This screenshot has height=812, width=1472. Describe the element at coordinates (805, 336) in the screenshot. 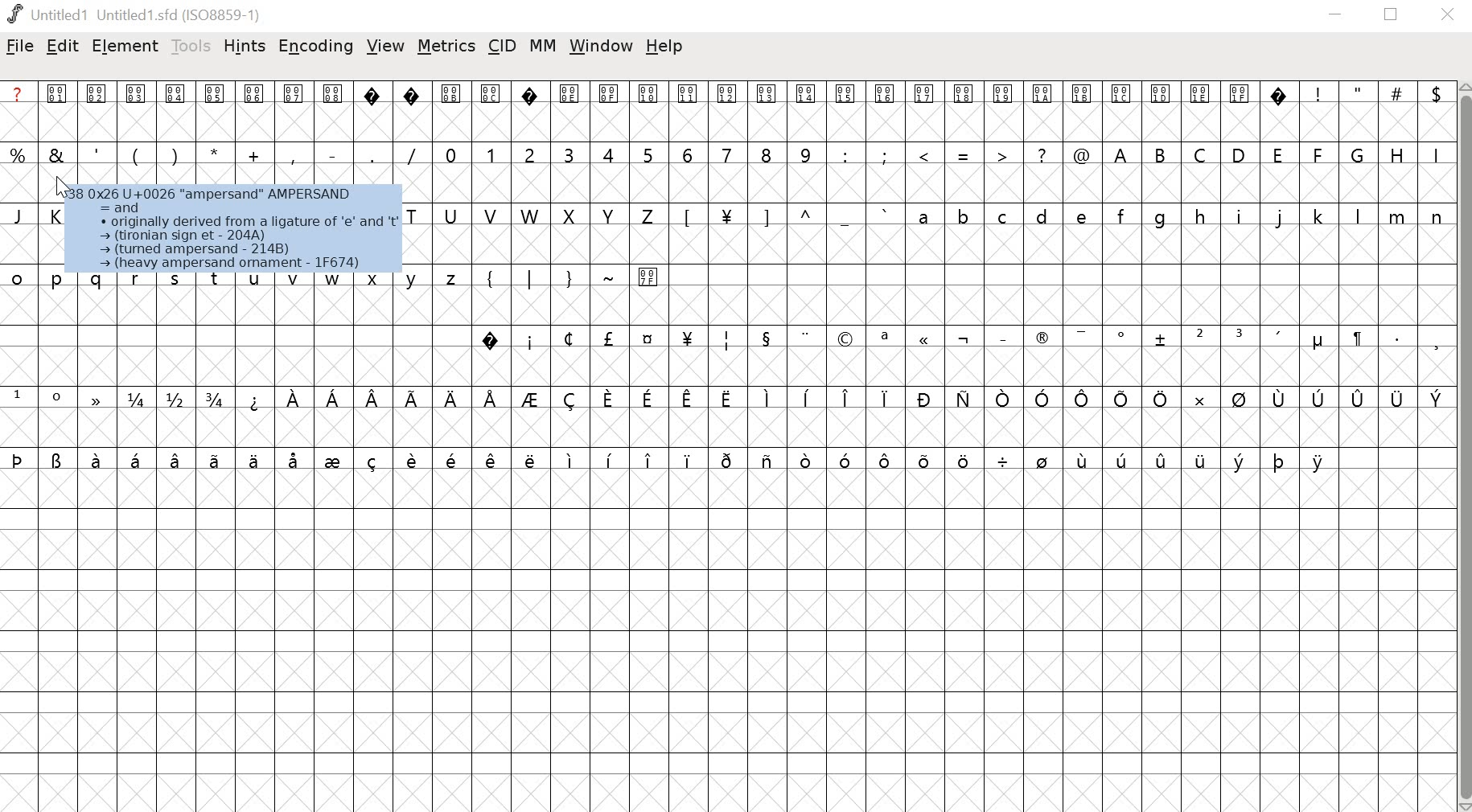

I see `..` at that location.